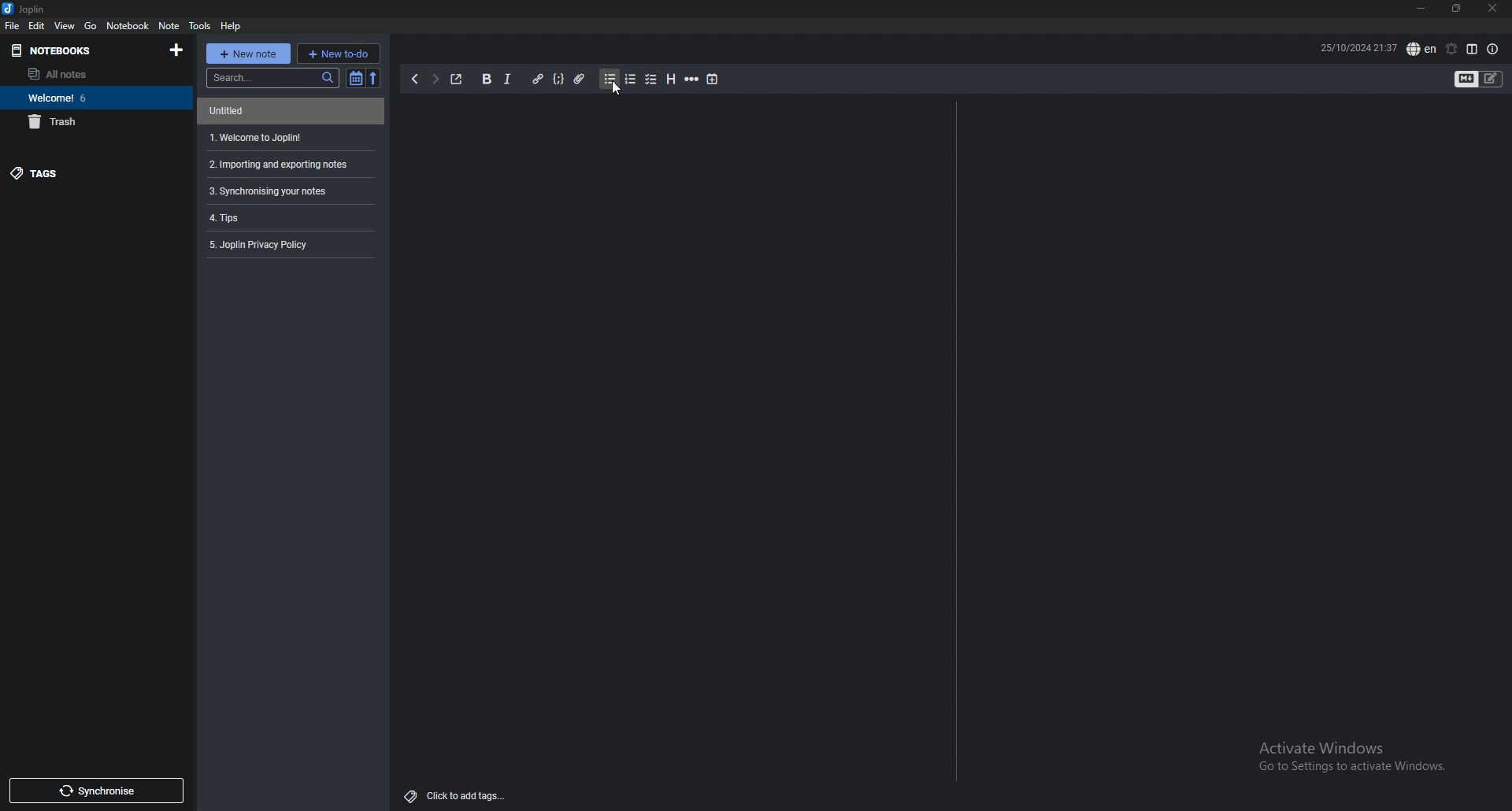  I want to click on Heading, so click(669, 80).